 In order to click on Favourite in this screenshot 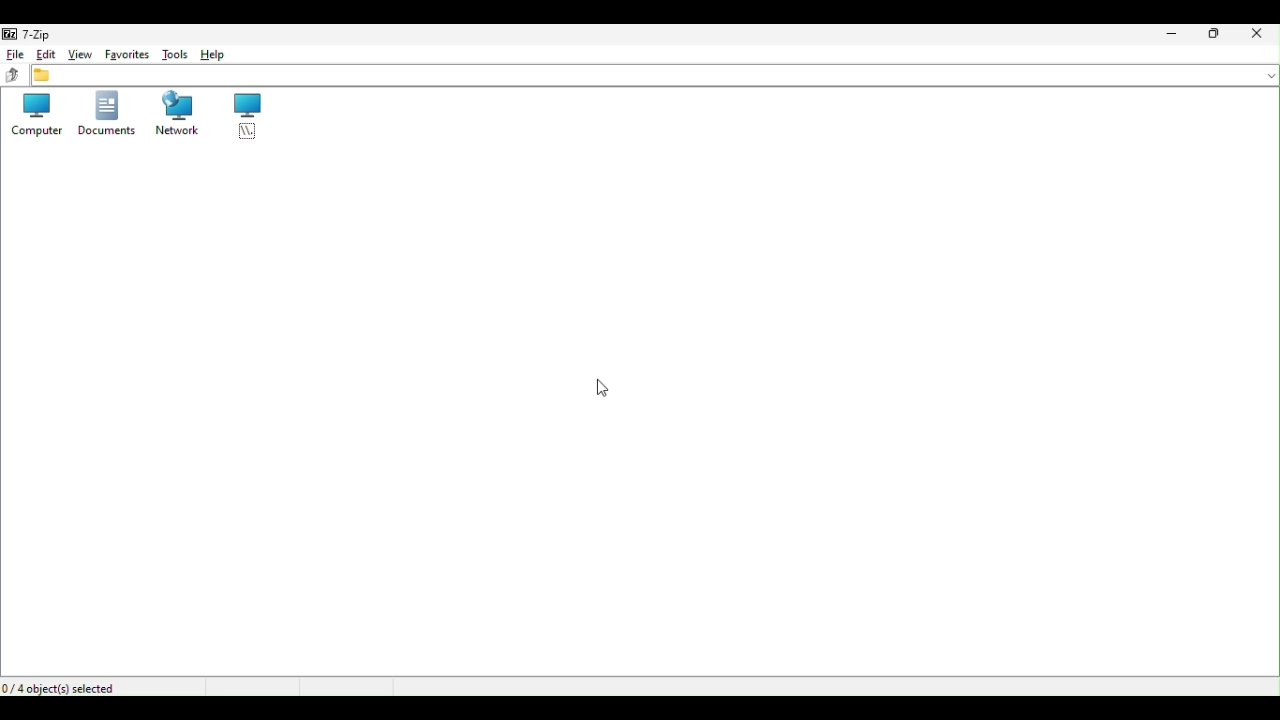, I will do `click(127, 53)`.